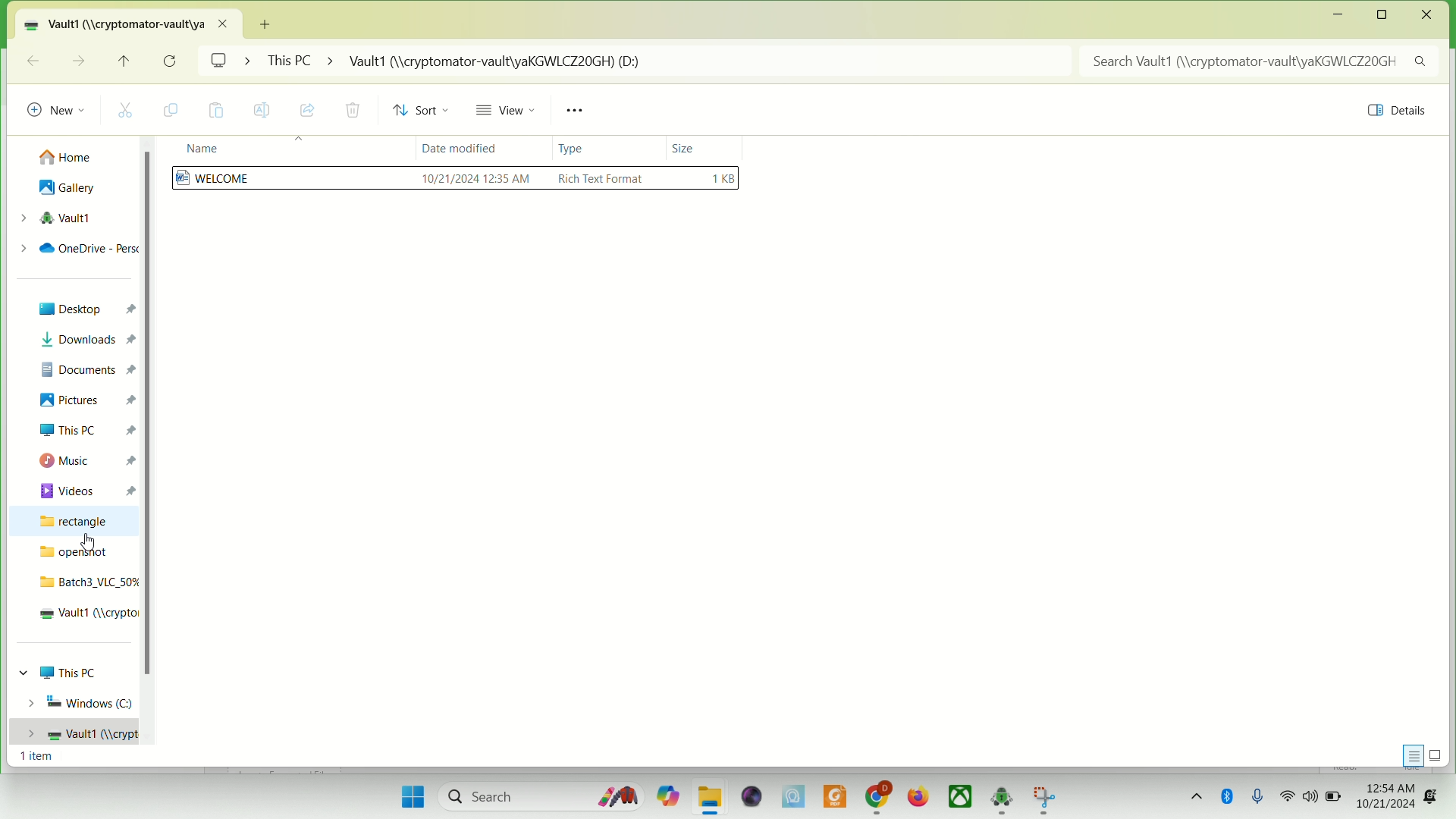 The image size is (1456, 819). I want to click on 1 item, so click(36, 758).